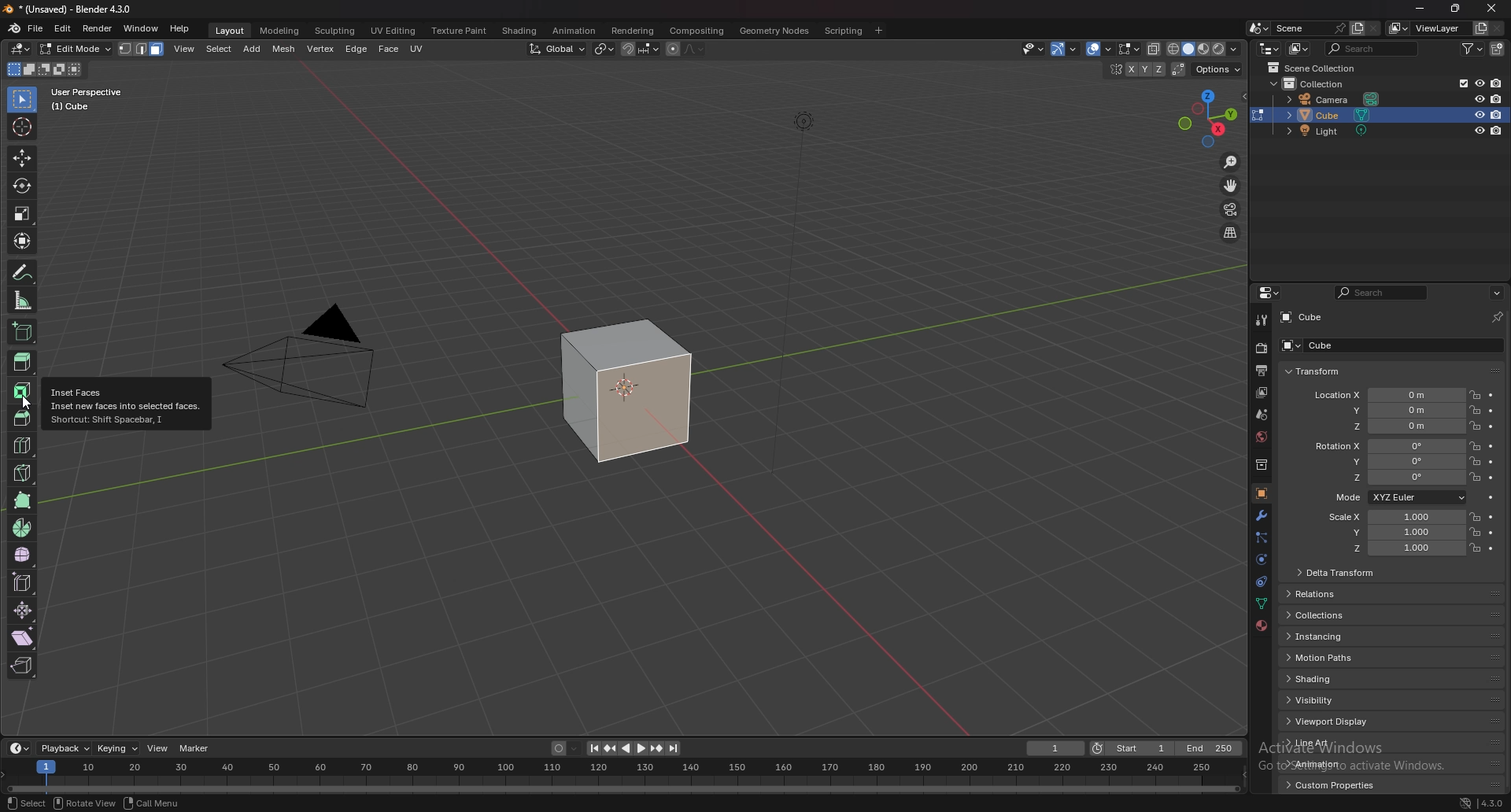  Describe the element at coordinates (1321, 84) in the screenshot. I see `collection` at that location.